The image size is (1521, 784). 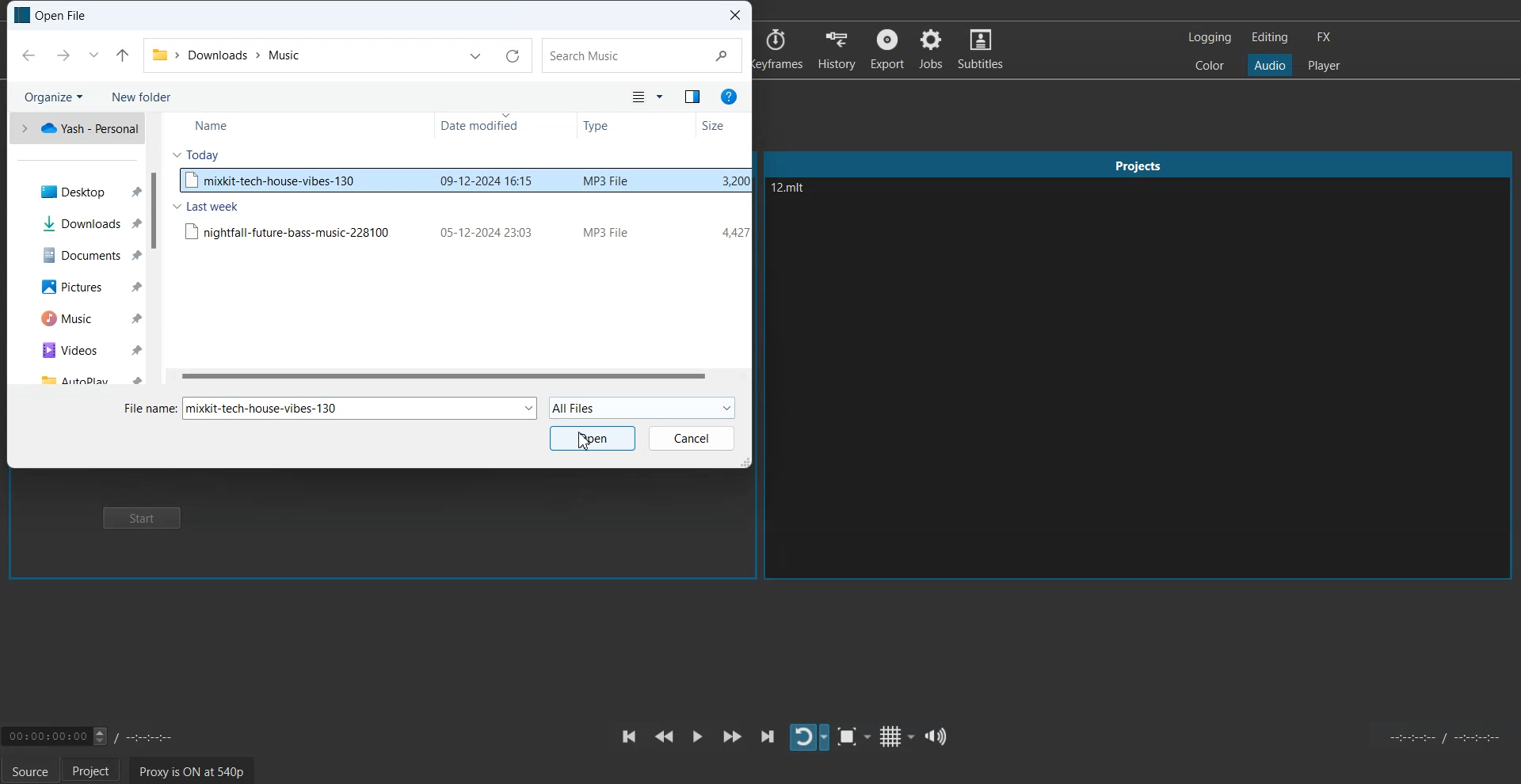 I want to click on Downloads, so click(x=74, y=223).